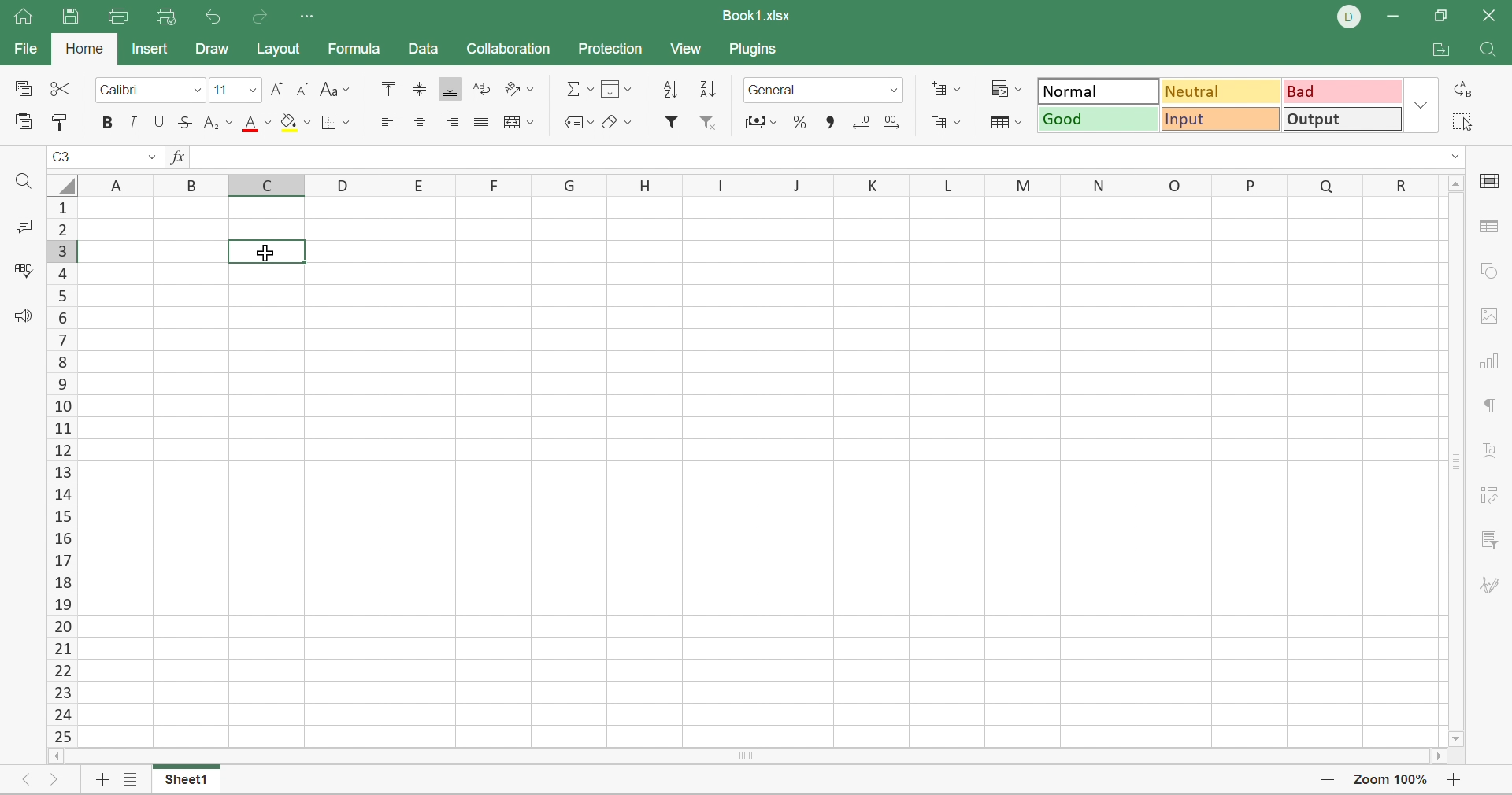  Describe the element at coordinates (27, 317) in the screenshot. I see `Feedback & support` at that location.